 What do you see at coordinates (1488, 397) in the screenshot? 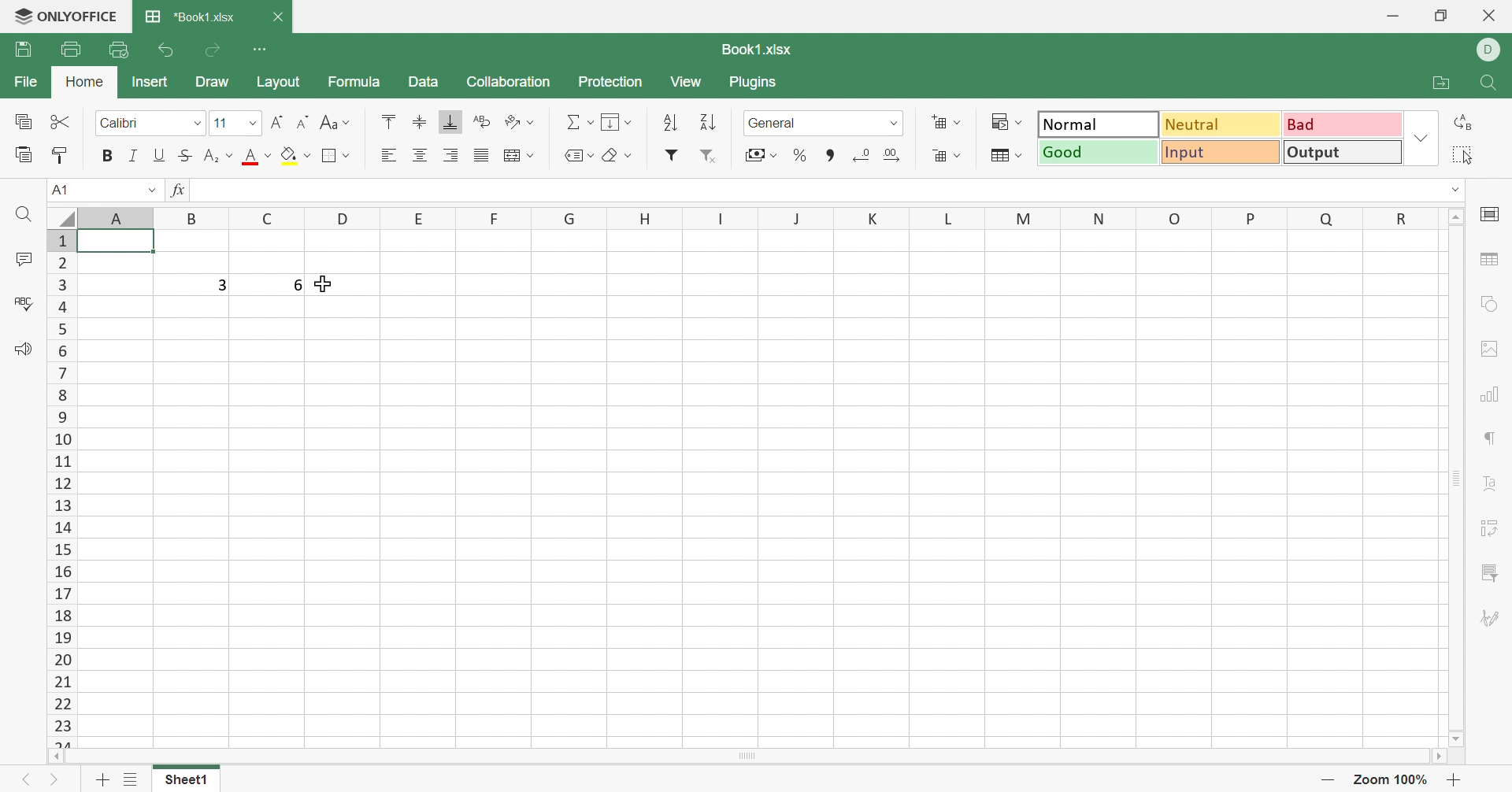
I see `Chart settings` at bounding box center [1488, 397].